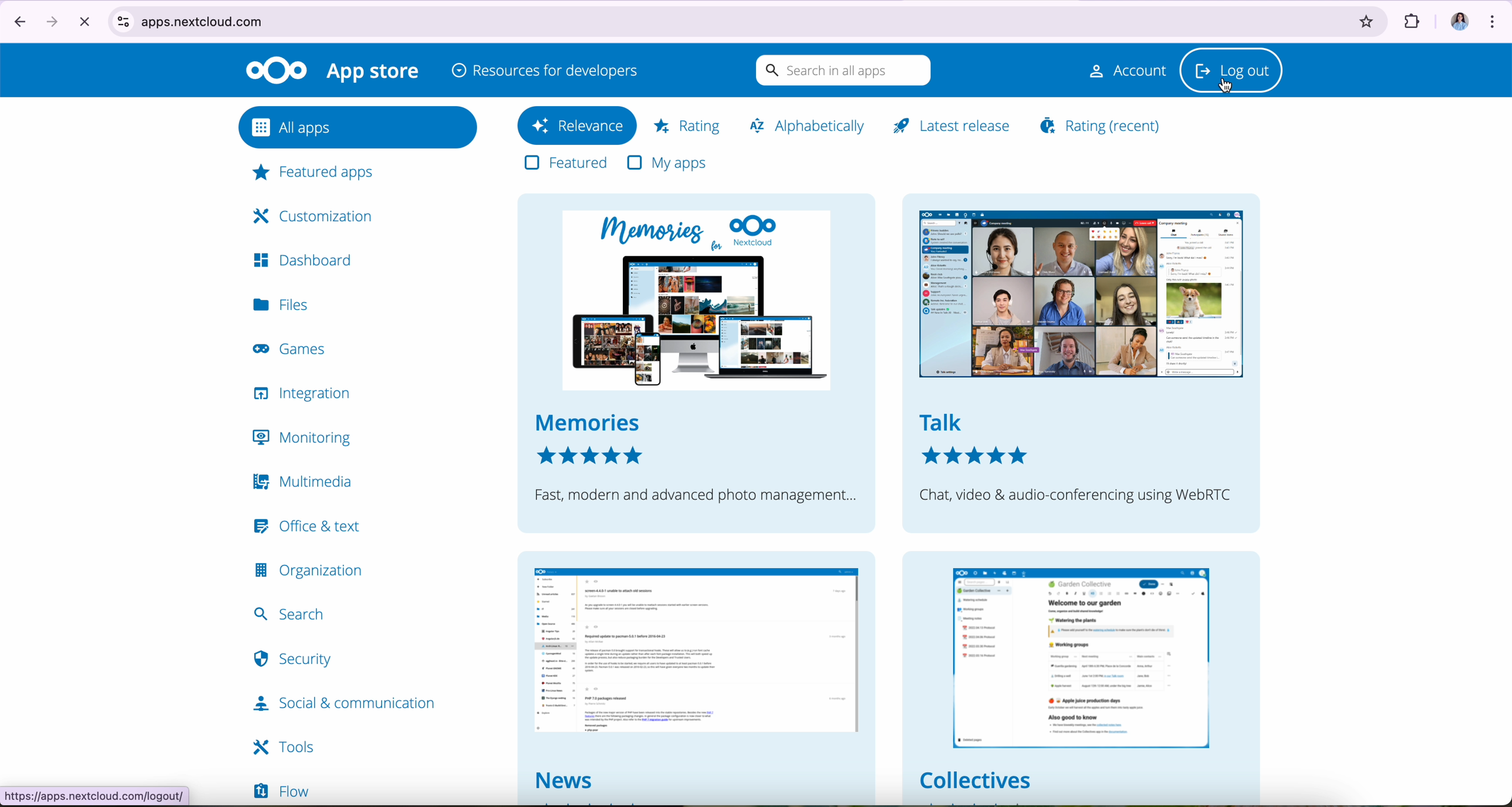 The width and height of the screenshot is (1512, 807). I want to click on customization, so click(310, 216).